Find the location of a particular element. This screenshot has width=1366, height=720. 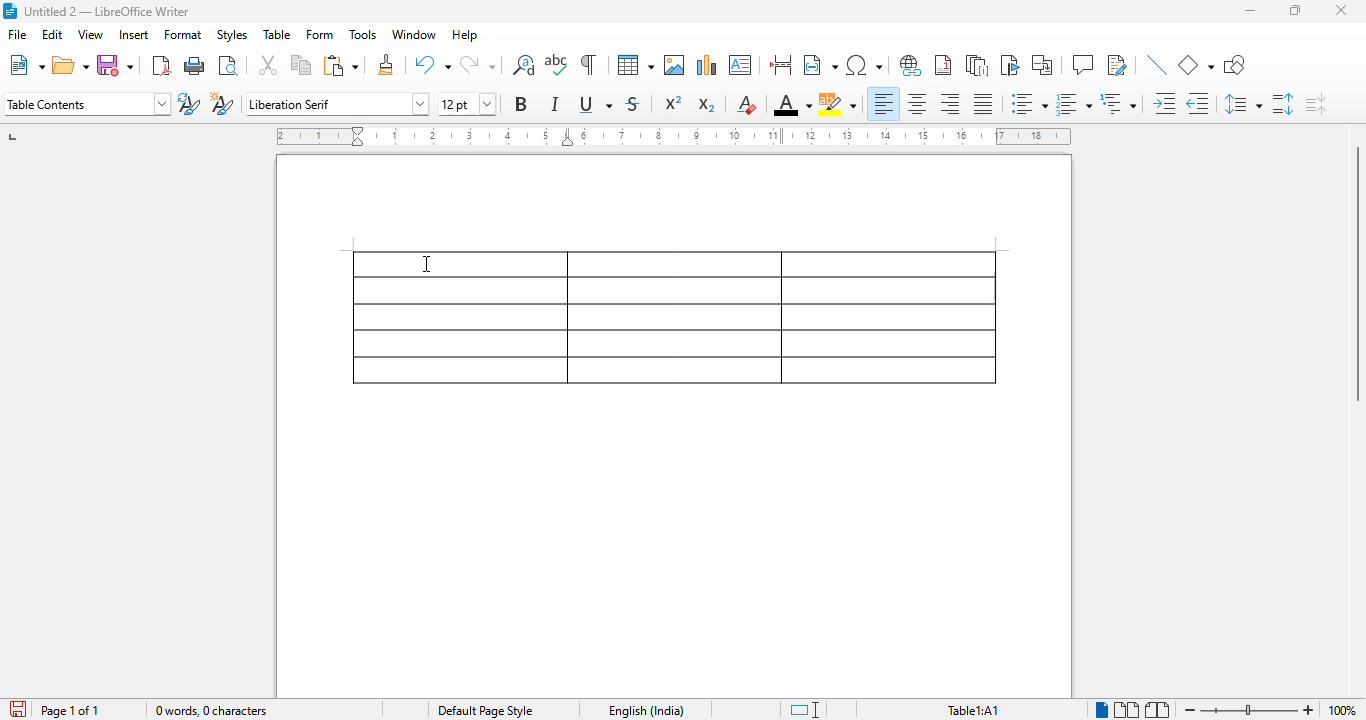

maximize is located at coordinates (1295, 10).